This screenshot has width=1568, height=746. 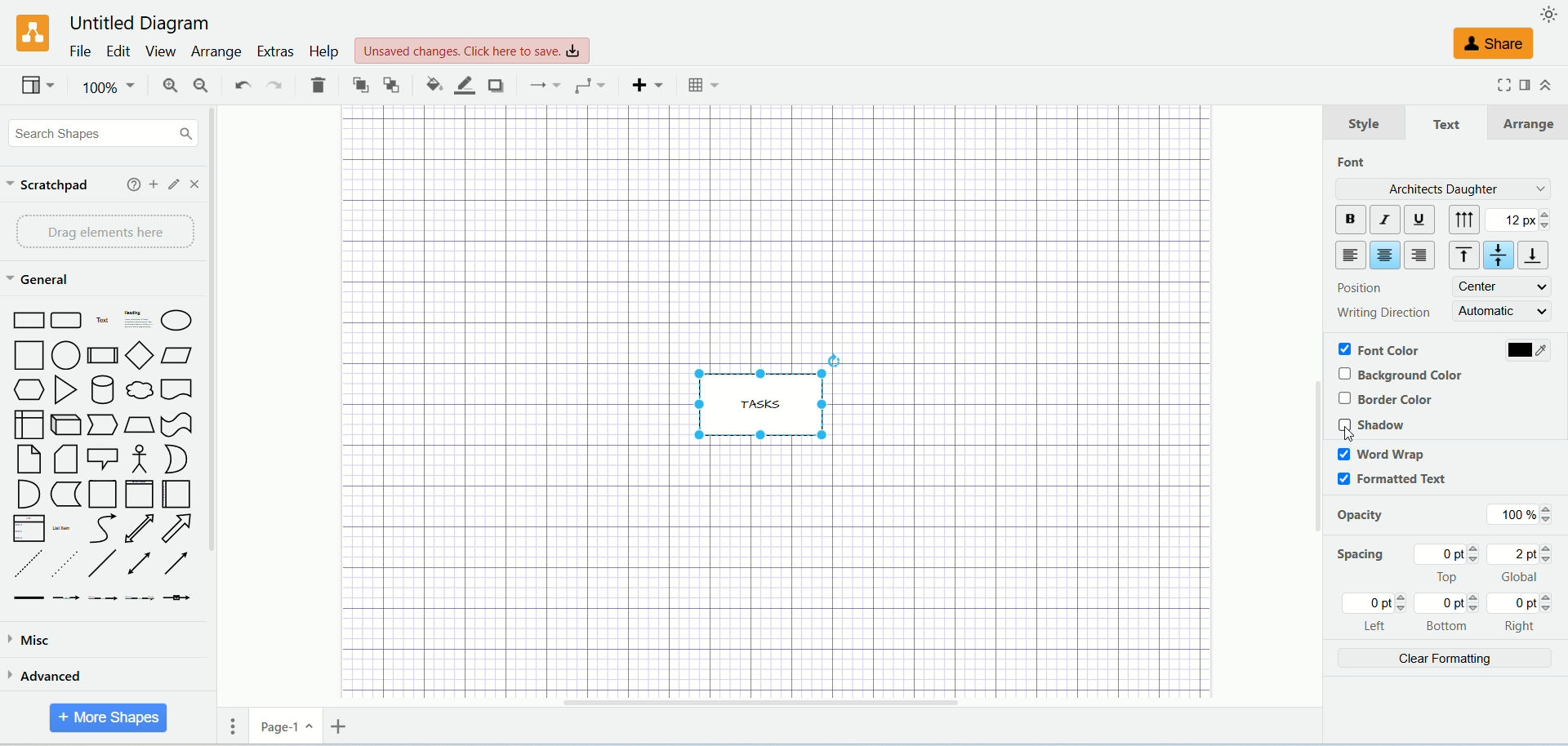 What do you see at coordinates (198, 184) in the screenshot?
I see `close` at bounding box center [198, 184].